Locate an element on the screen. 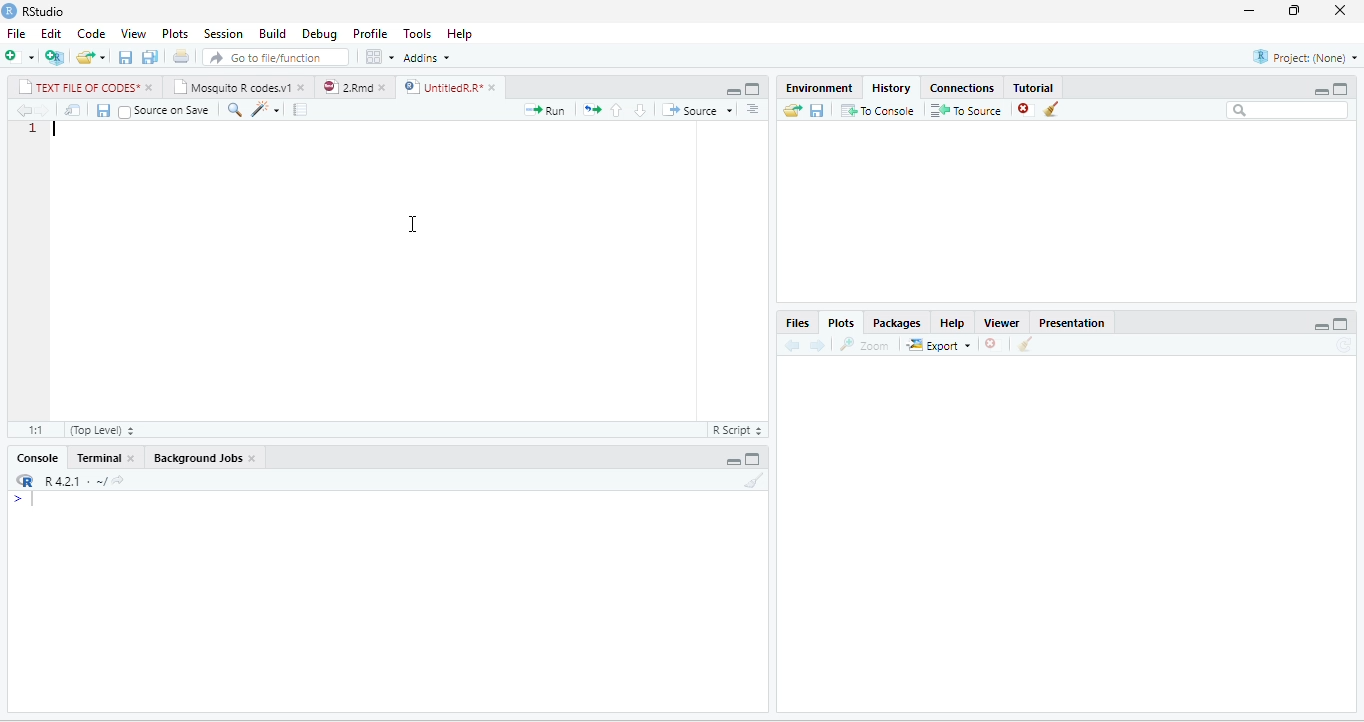  resize is located at coordinates (1294, 11).